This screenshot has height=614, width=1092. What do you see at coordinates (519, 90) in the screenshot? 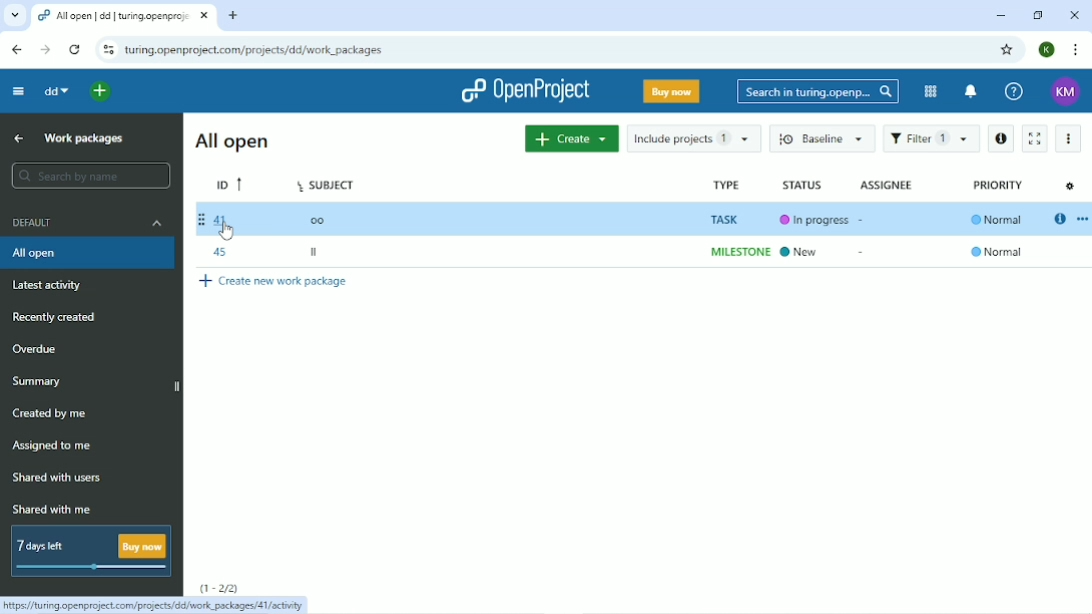
I see `OpenProject` at bounding box center [519, 90].